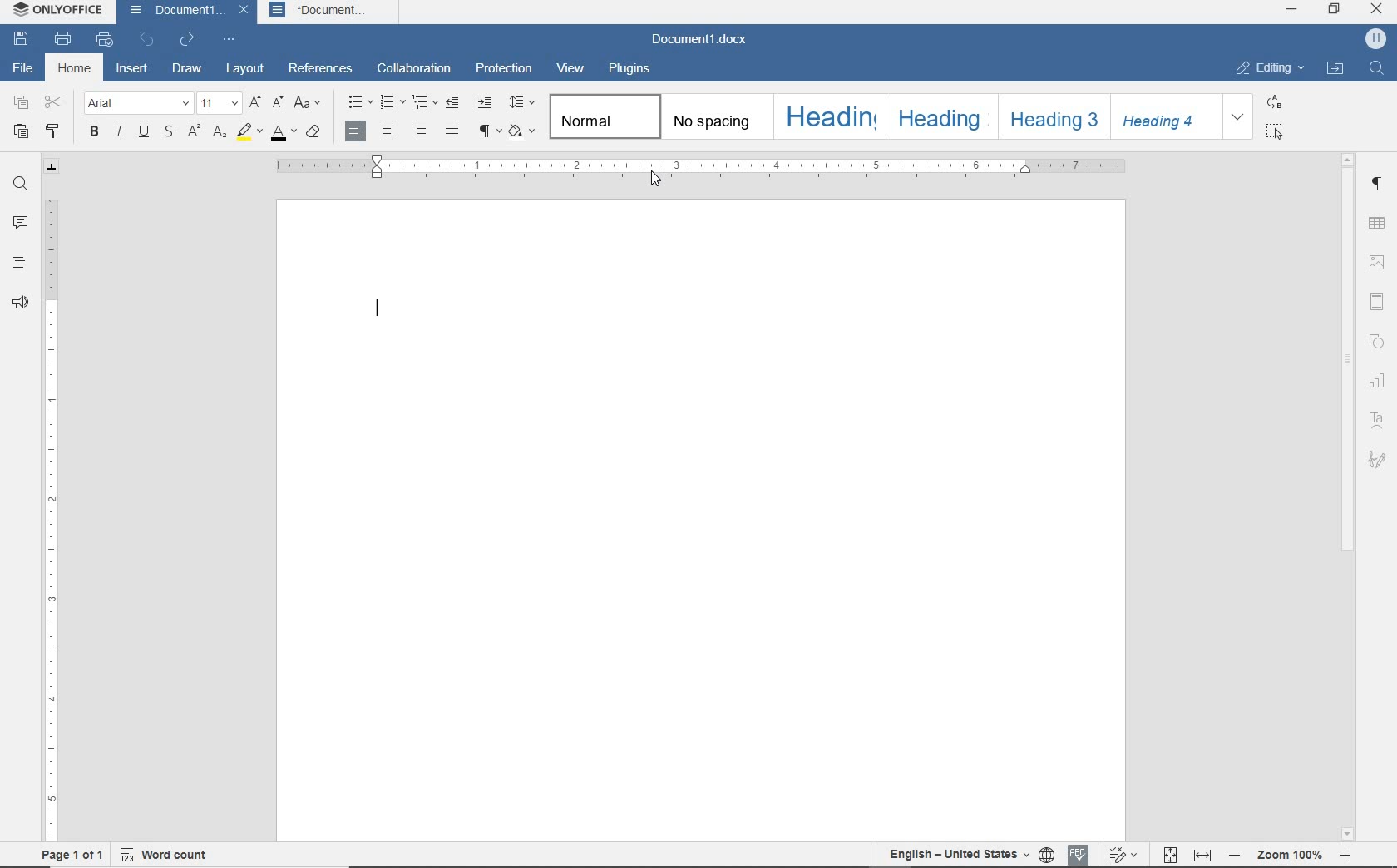 The image size is (1397, 868). I want to click on TAB STOP, so click(52, 167).